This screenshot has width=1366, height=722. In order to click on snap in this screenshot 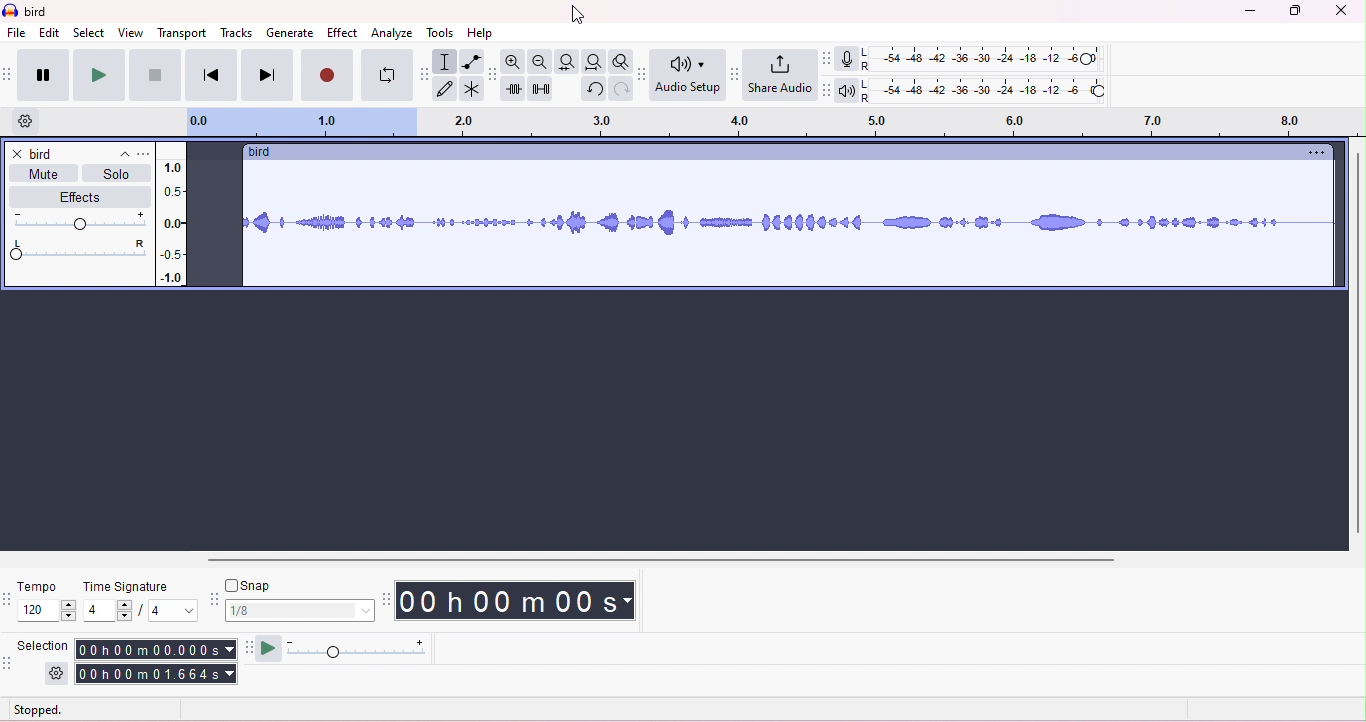, I will do `click(254, 585)`.